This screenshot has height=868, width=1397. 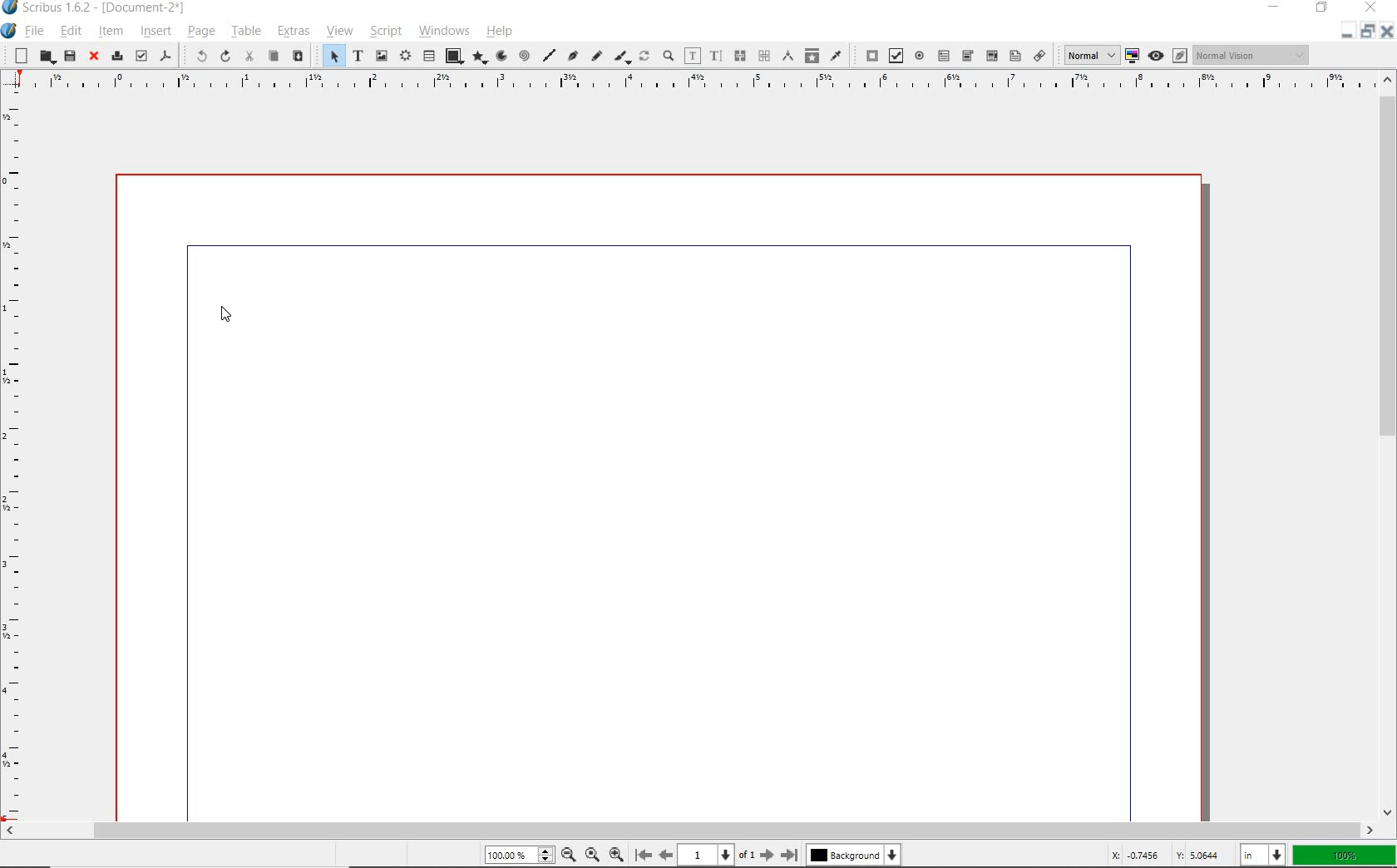 I want to click on zoom out, so click(x=616, y=853).